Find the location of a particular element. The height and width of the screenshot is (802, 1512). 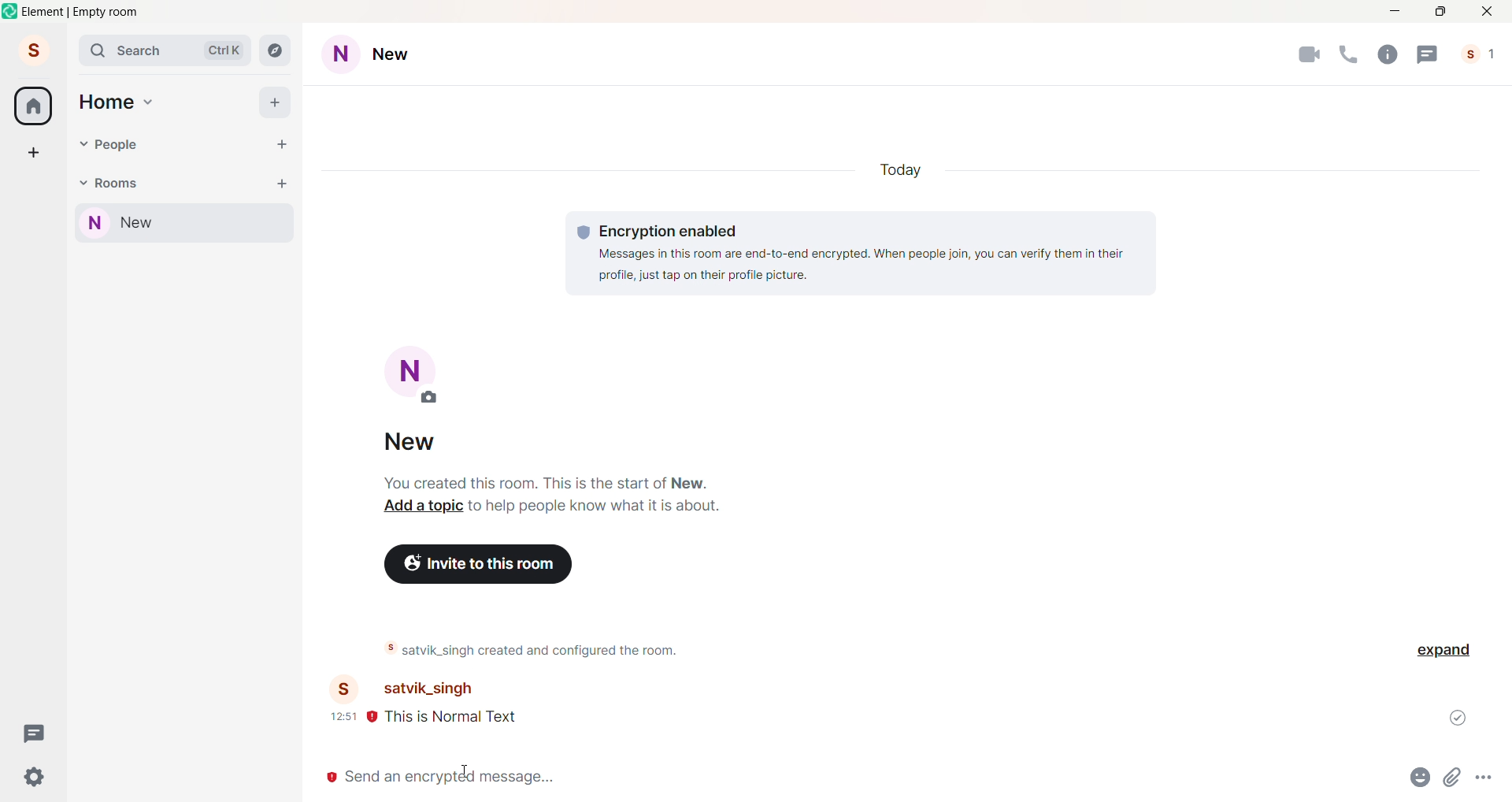

Logo is located at coordinates (11, 11).